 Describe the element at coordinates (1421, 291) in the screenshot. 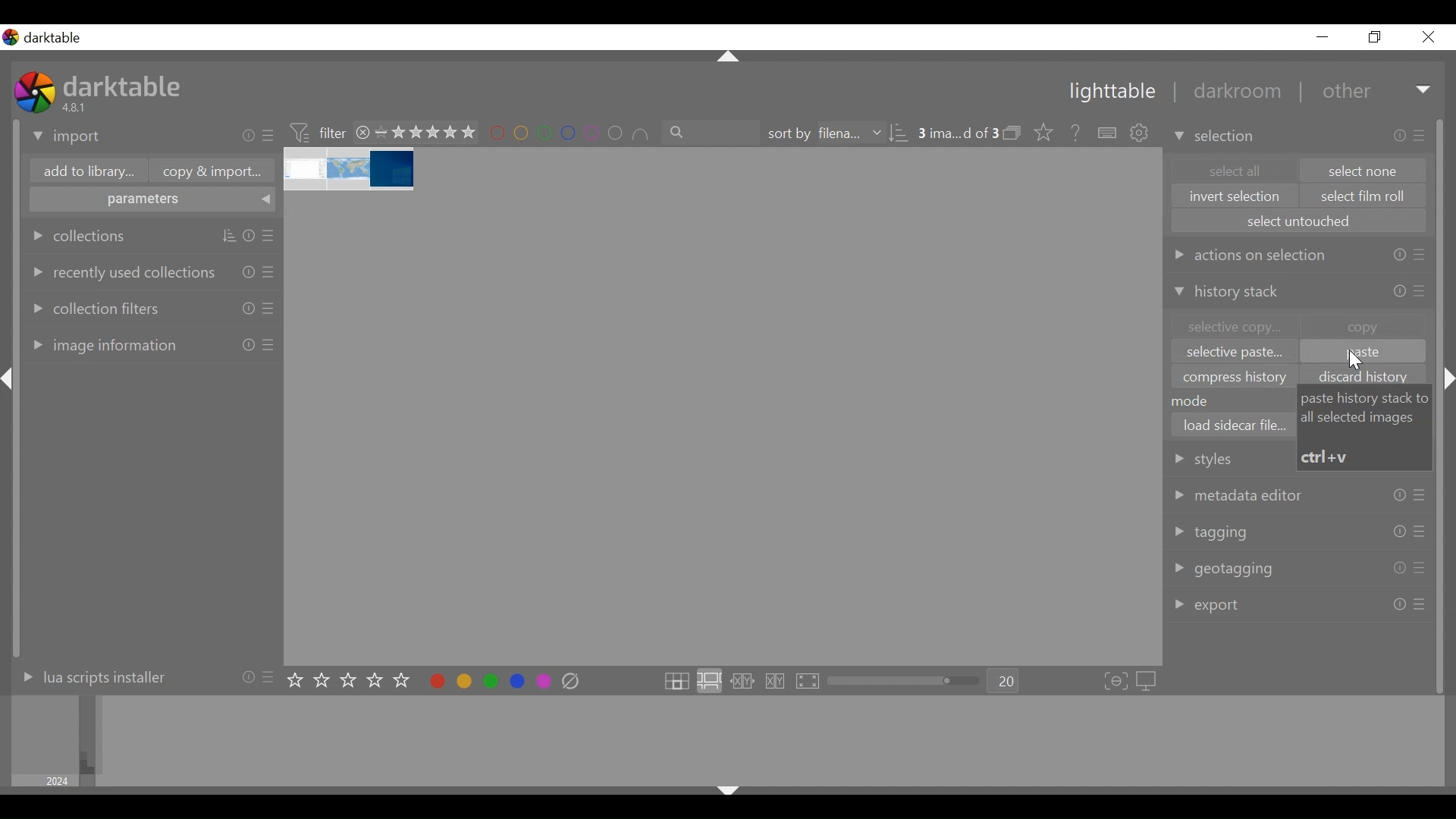

I see `presets` at that location.